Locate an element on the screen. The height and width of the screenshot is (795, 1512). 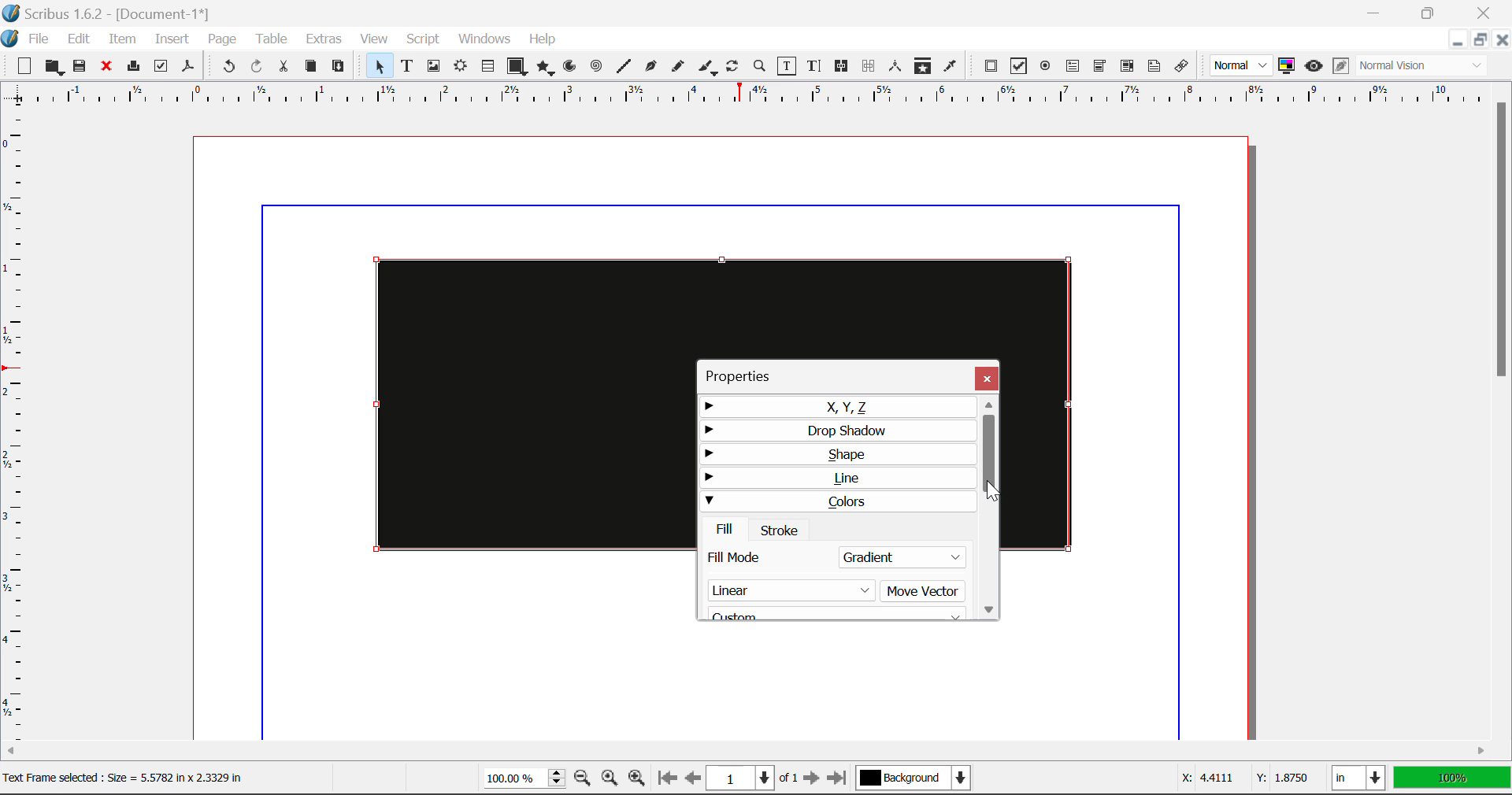
Bezier Curve is located at coordinates (651, 68).